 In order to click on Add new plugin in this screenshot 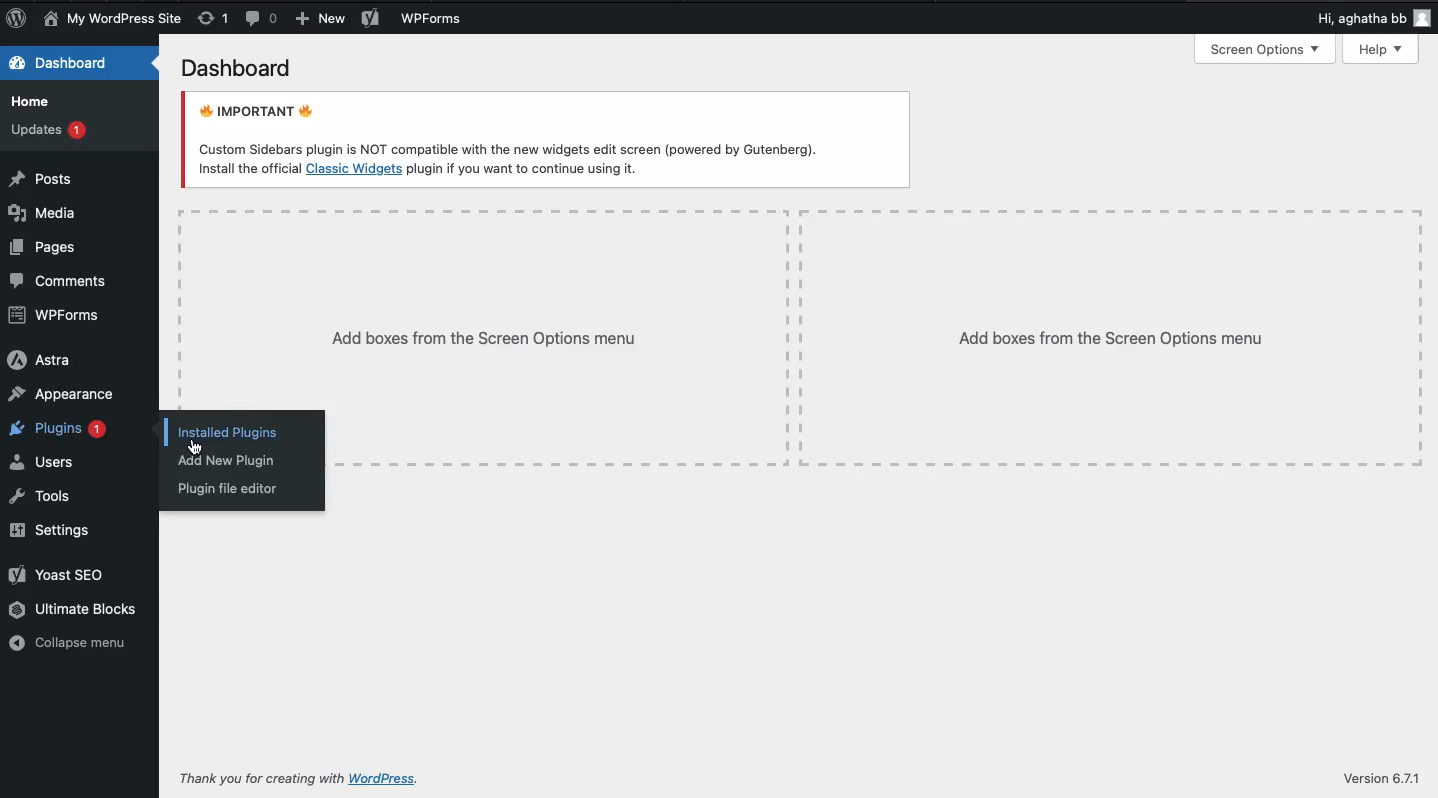, I will do `click(228, 460)`.